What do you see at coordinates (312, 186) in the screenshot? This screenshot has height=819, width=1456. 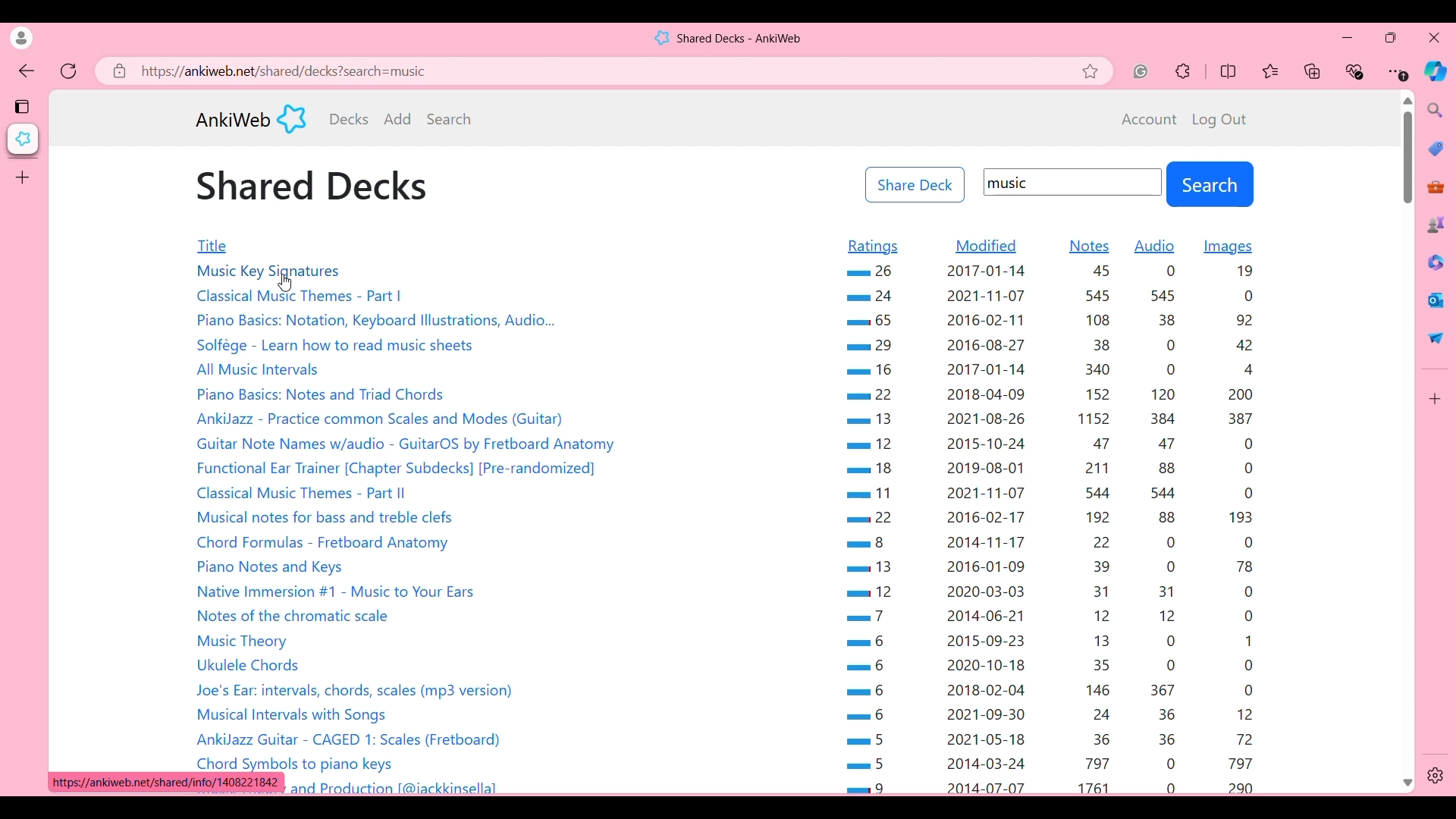 I see `Shared Decks` at bounding box center [312, 186].